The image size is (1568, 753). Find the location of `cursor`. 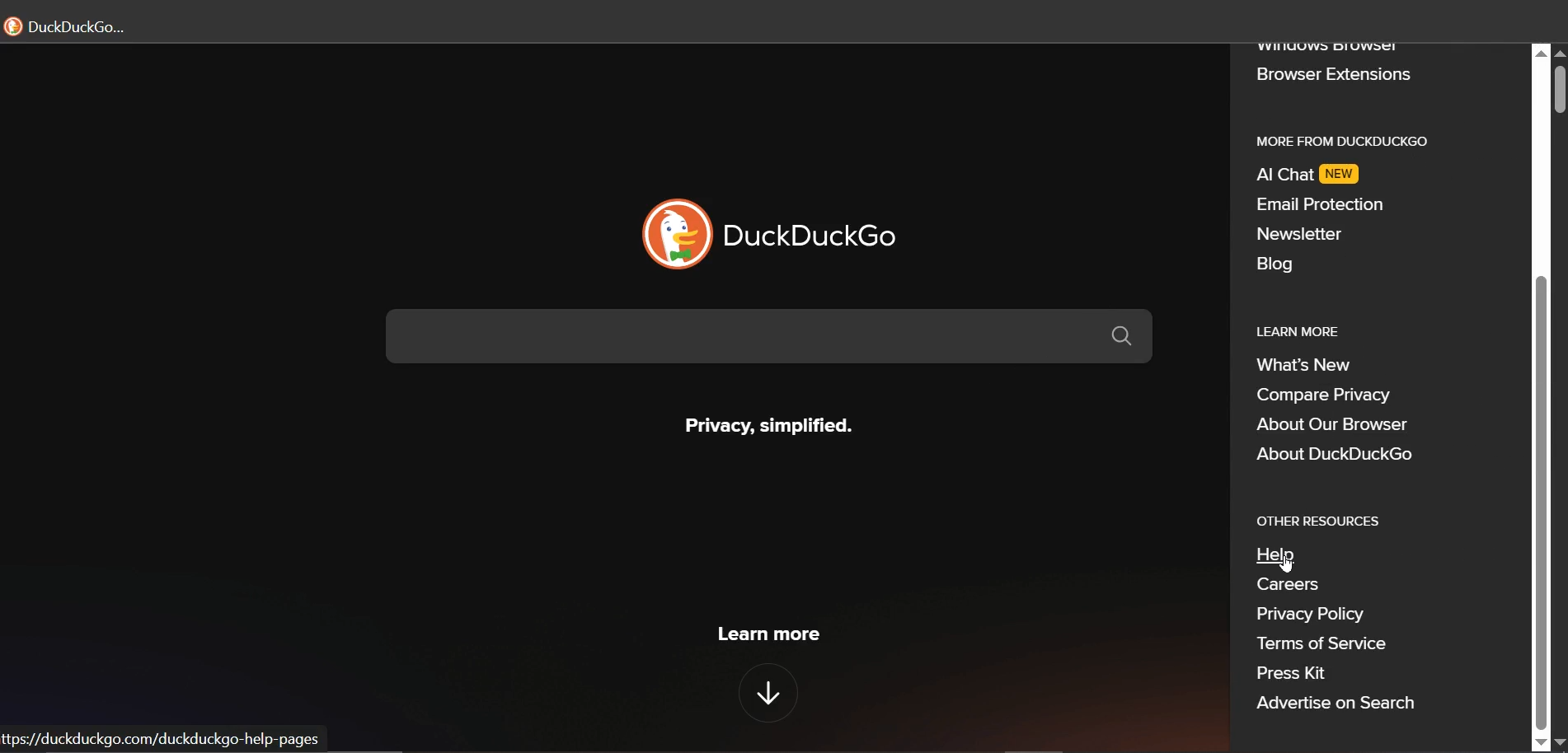

cursor is located at coordinates (1284, 564).